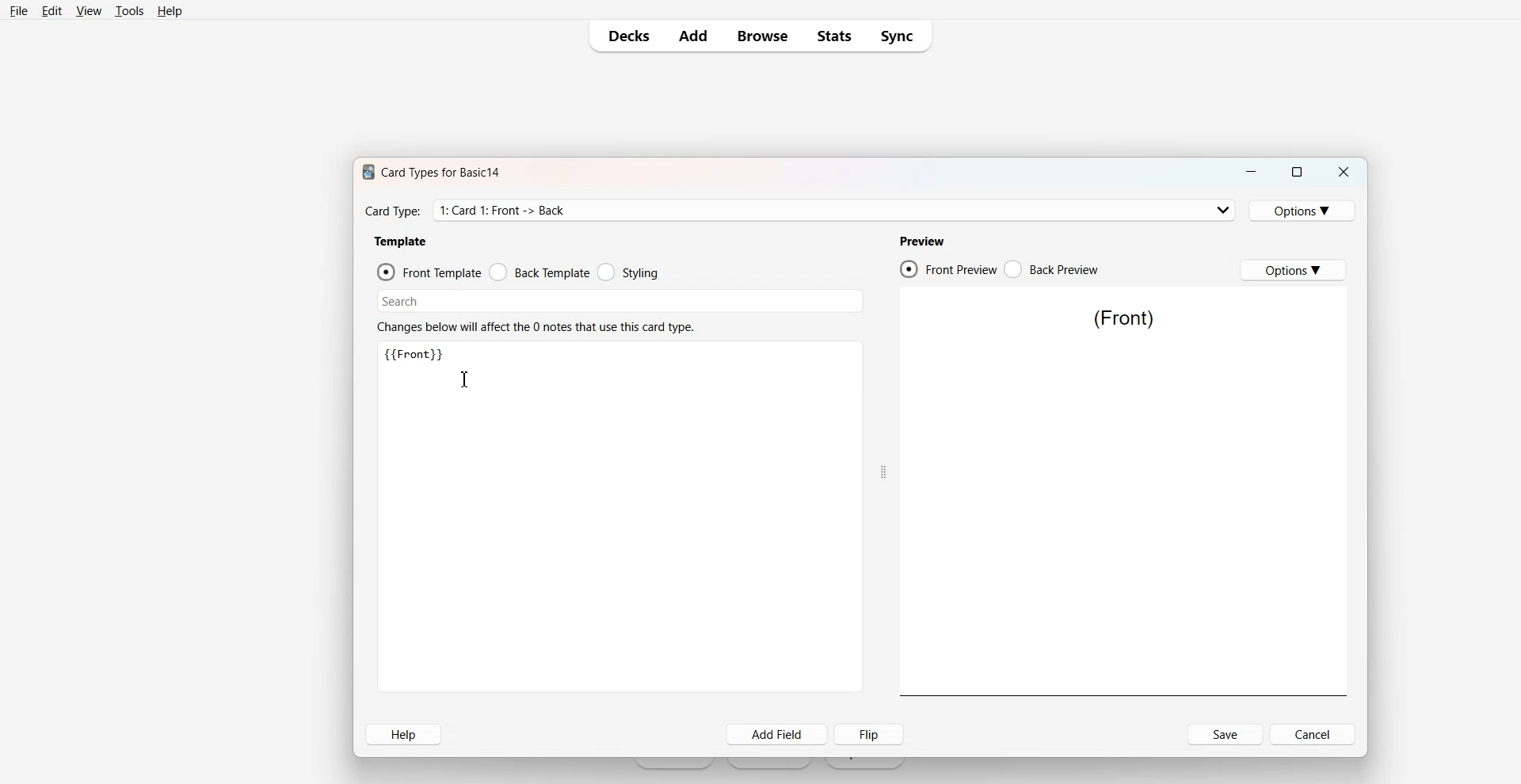 Image resolution: width=1521 pixels, height=784 pixels. Describe the element at coordinates (539, 272) in the screenshot. I see `Back Template` at that location.